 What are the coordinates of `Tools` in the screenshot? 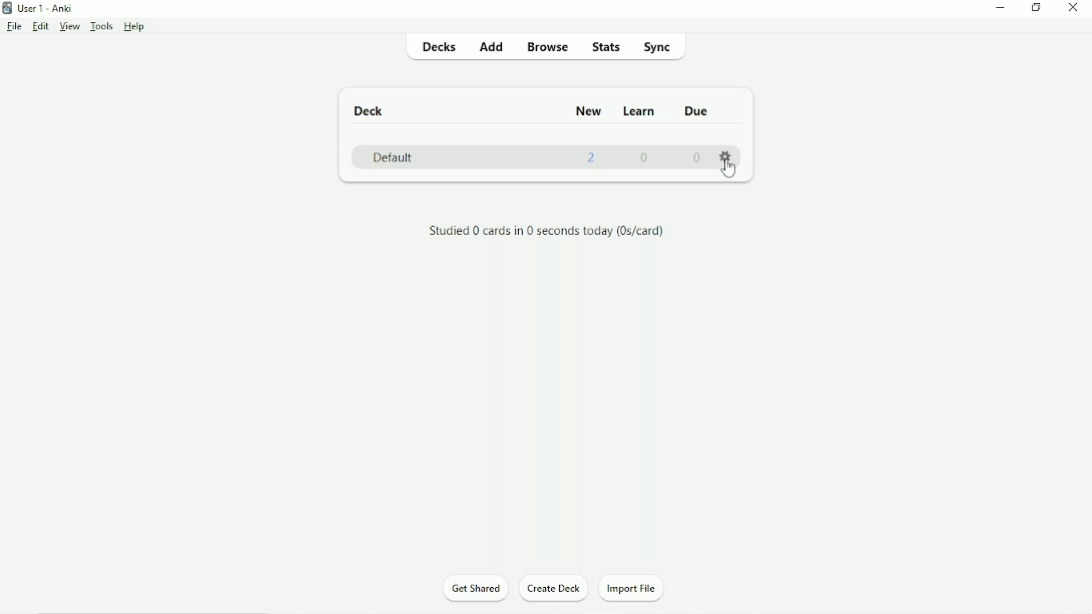 It's located at (101, 26).